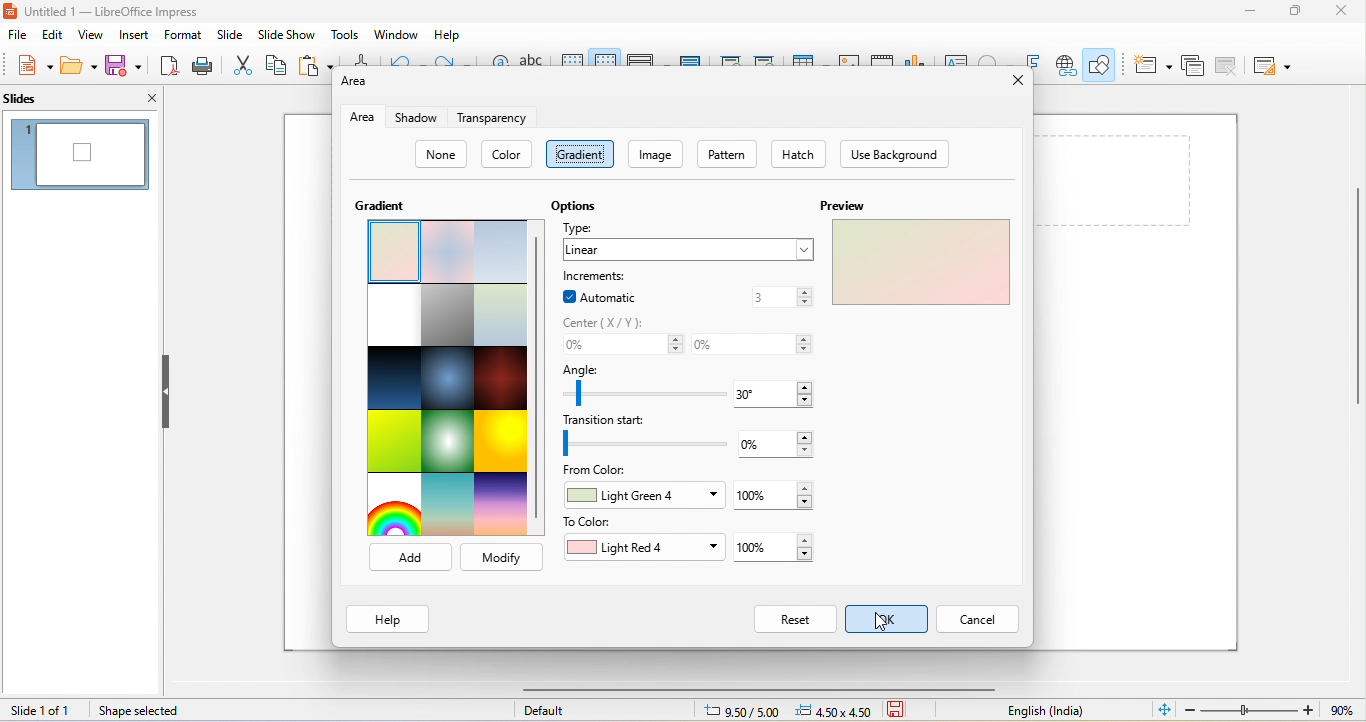 This screenshot has width=1366, height=722. I want to click on preview gradient , so click(922, 264).